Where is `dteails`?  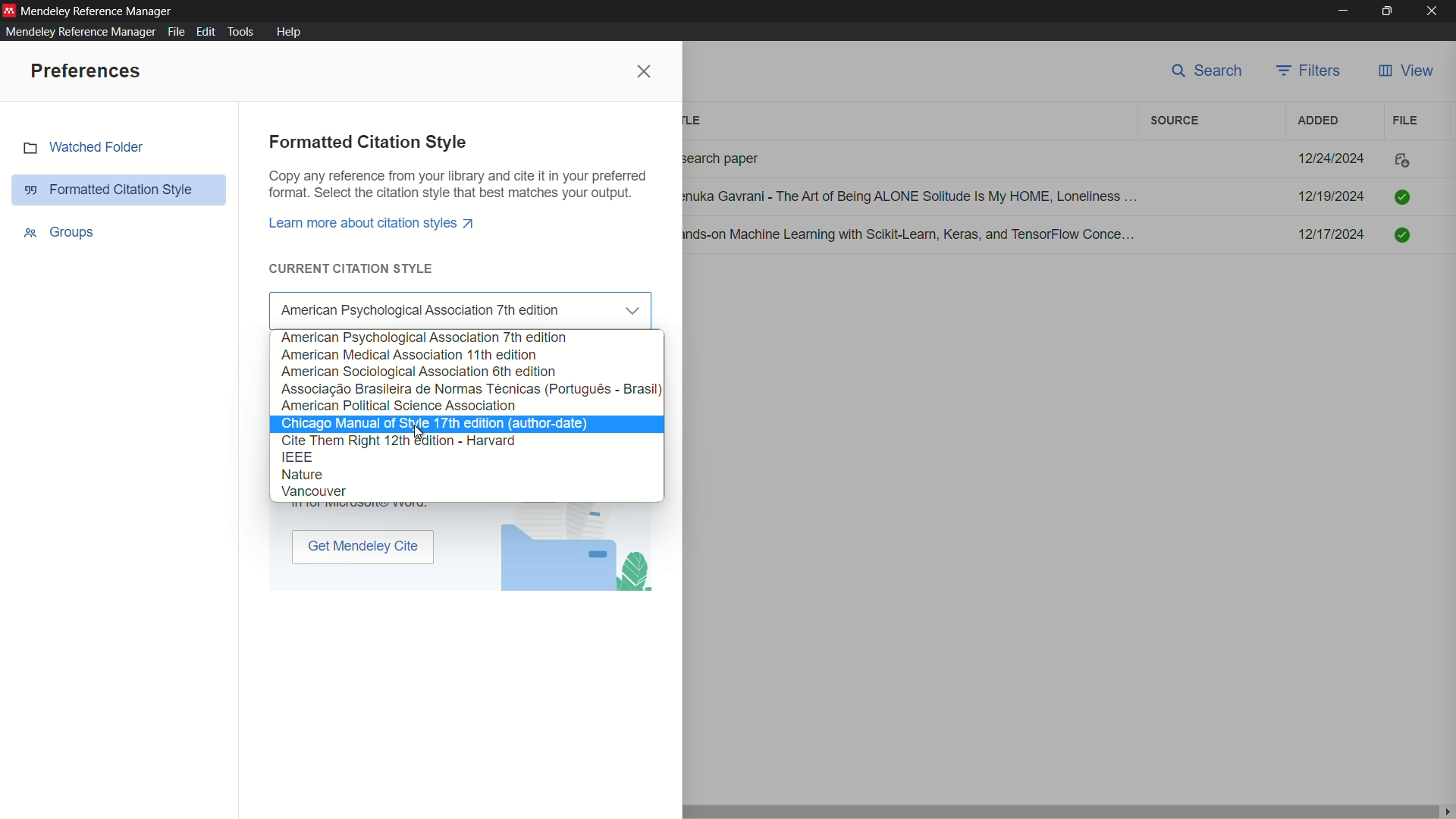
dteails is located at coordinates (1053, 199).